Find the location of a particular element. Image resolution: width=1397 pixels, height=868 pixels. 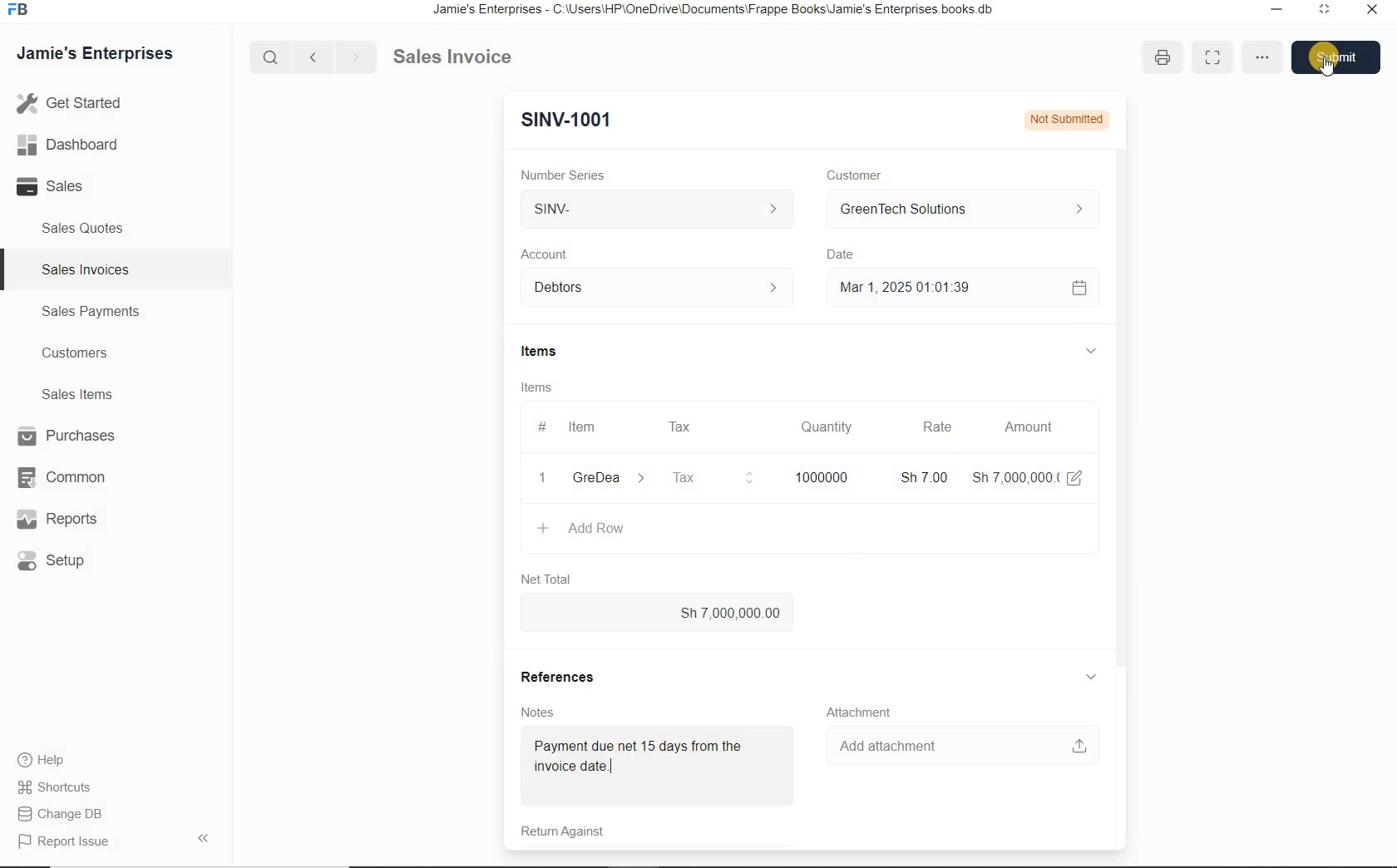

GreenTech Solutions is located at coordinates (955, 210).